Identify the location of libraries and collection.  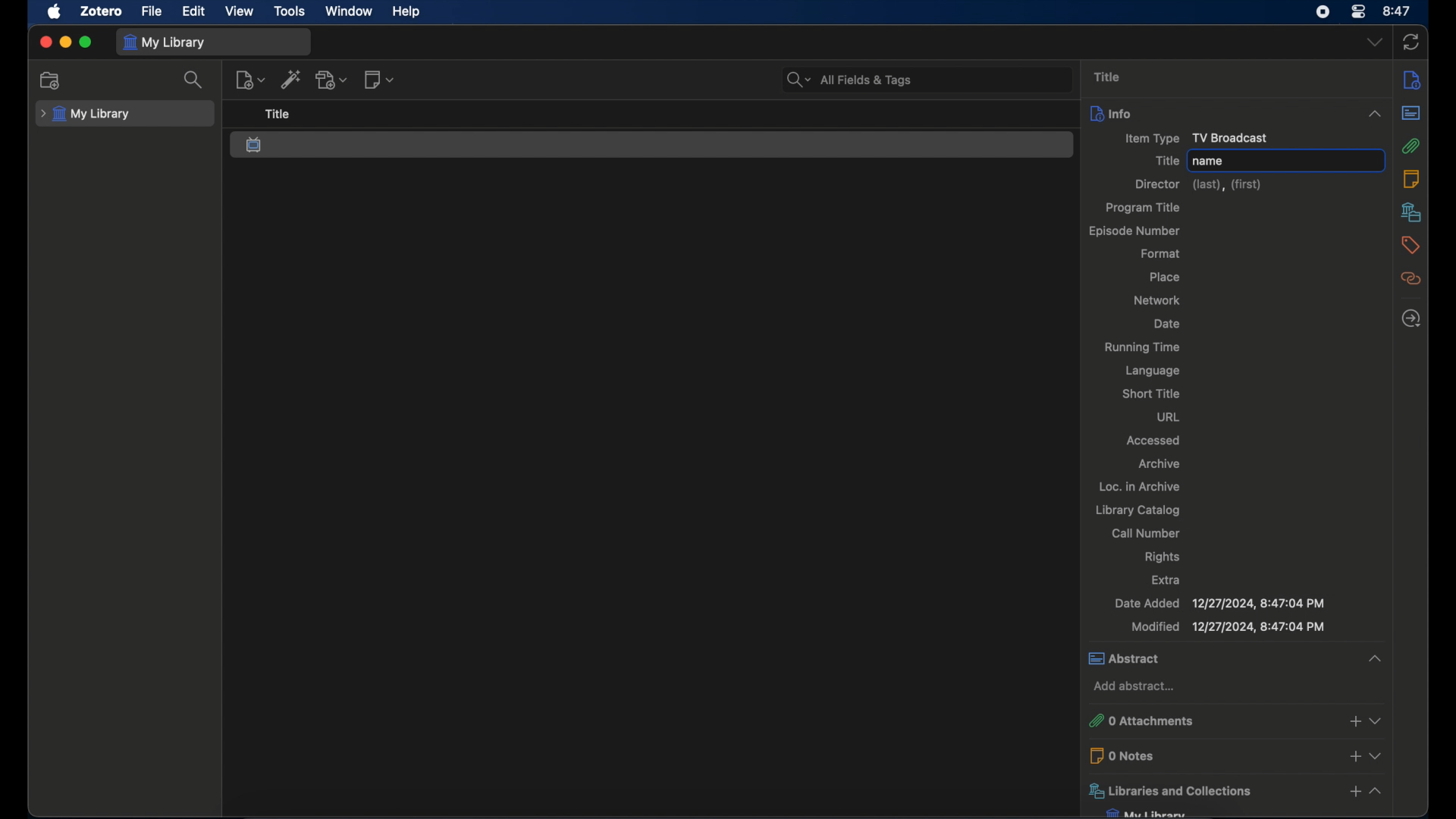
(1210, 790).